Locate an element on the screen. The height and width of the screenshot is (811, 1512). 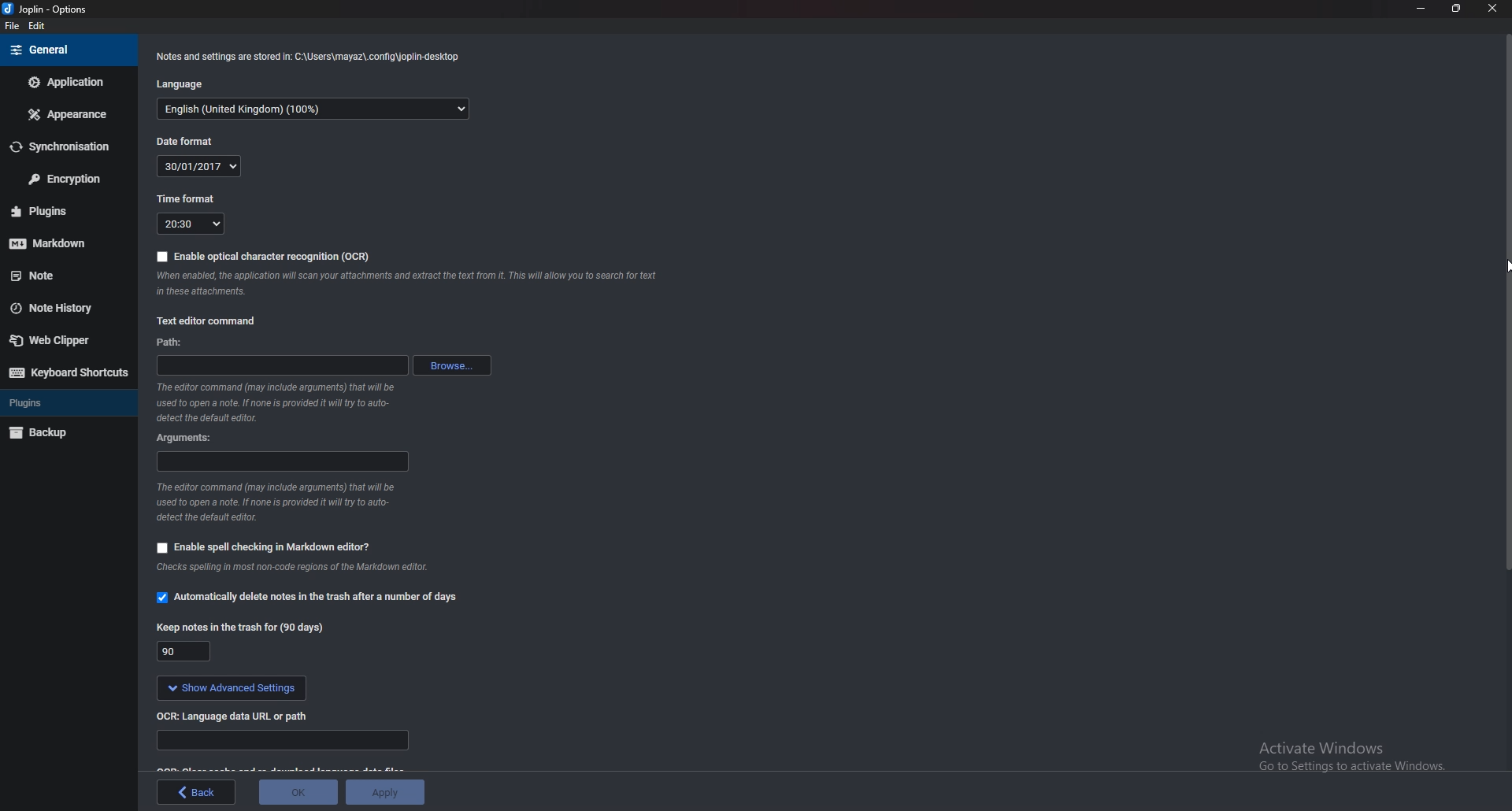
Scroll bar is located at coordinates (1505, 302).